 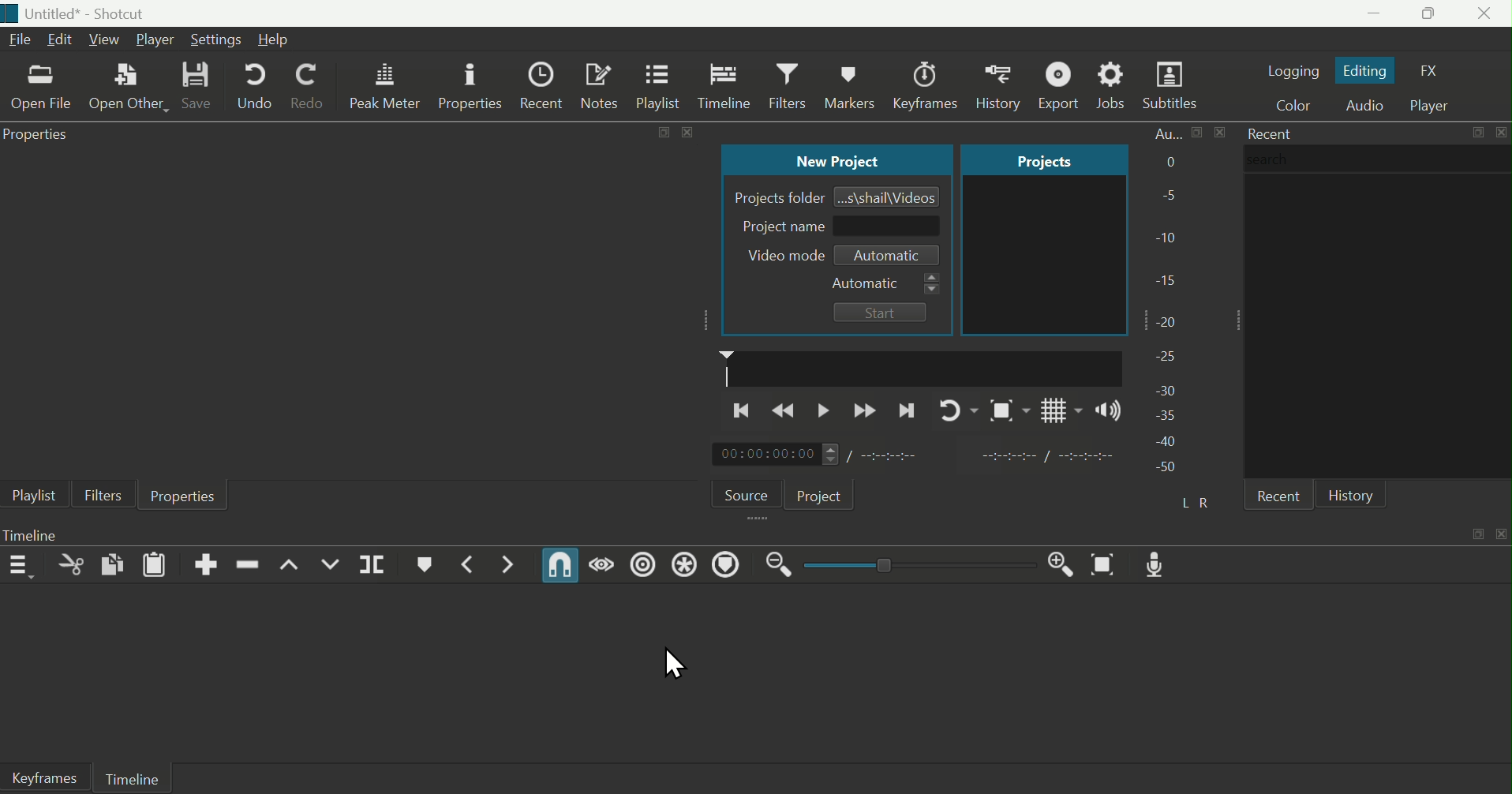 I want to click on Recent, so click(x=545, y=85).